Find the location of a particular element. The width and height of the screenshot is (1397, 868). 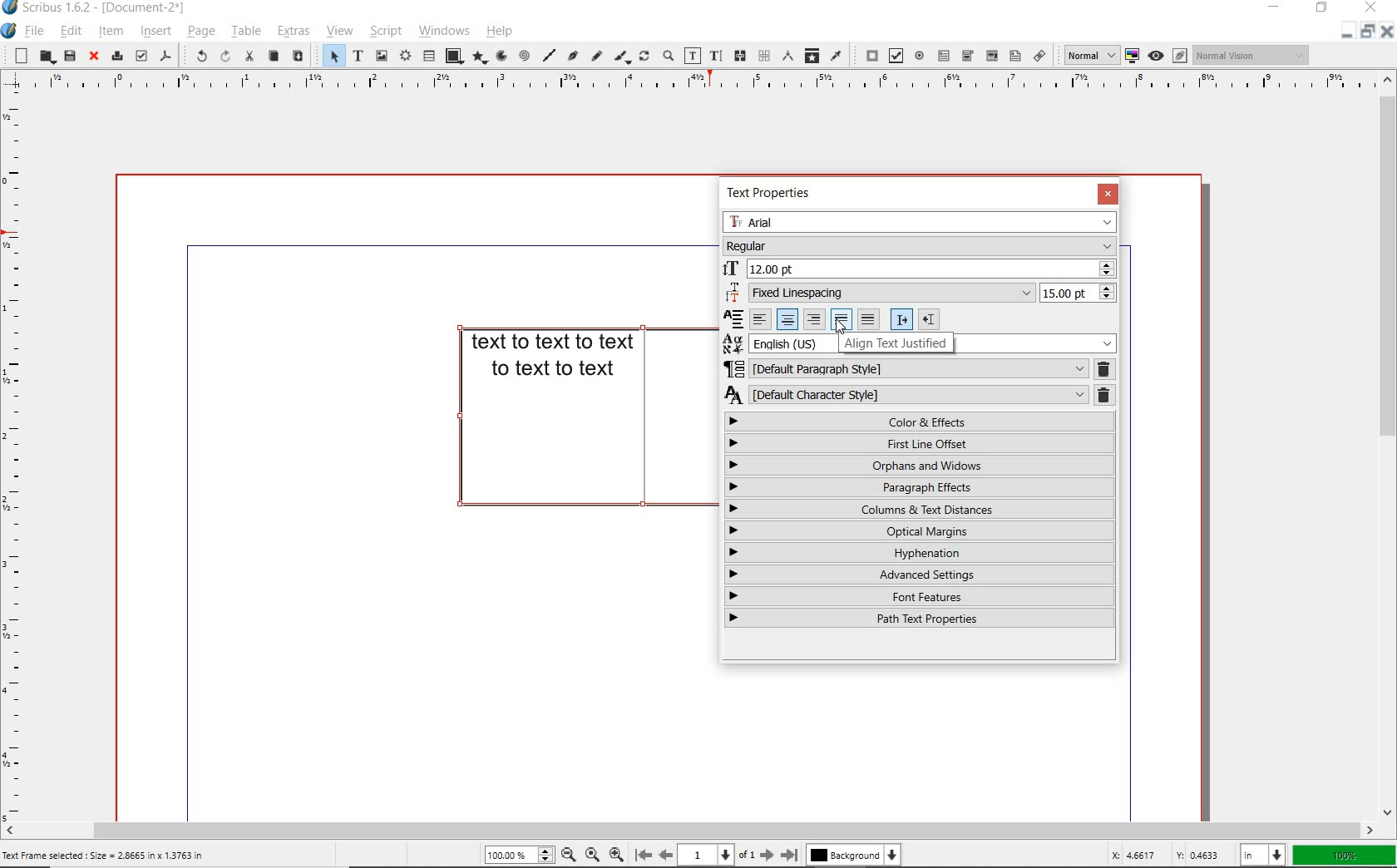

FONT FEATURES is located at coordinates (921, 596).